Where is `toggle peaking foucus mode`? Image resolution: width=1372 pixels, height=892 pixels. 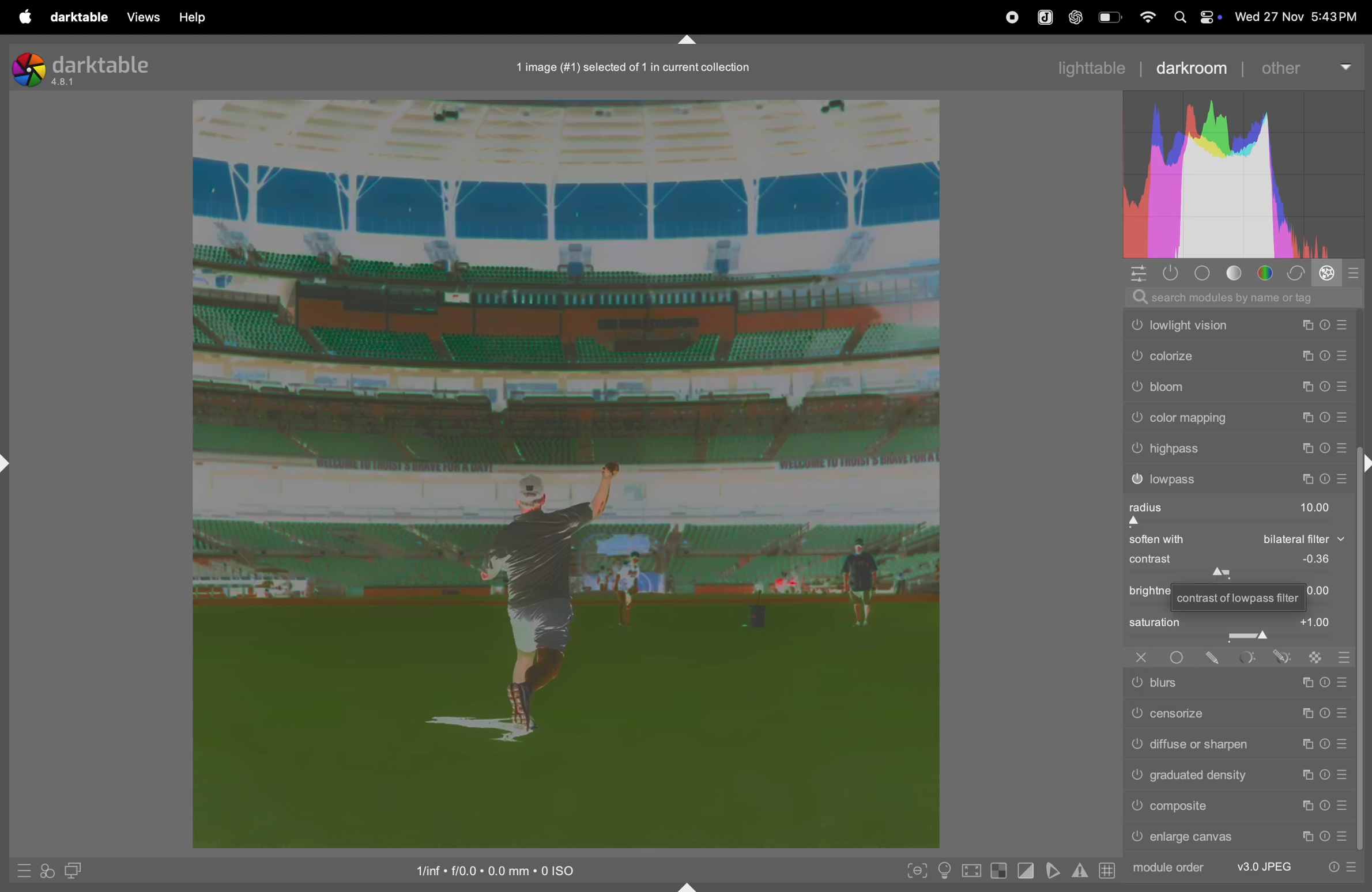 toggle peaking foucus mode is located at coordinates (916, 873).